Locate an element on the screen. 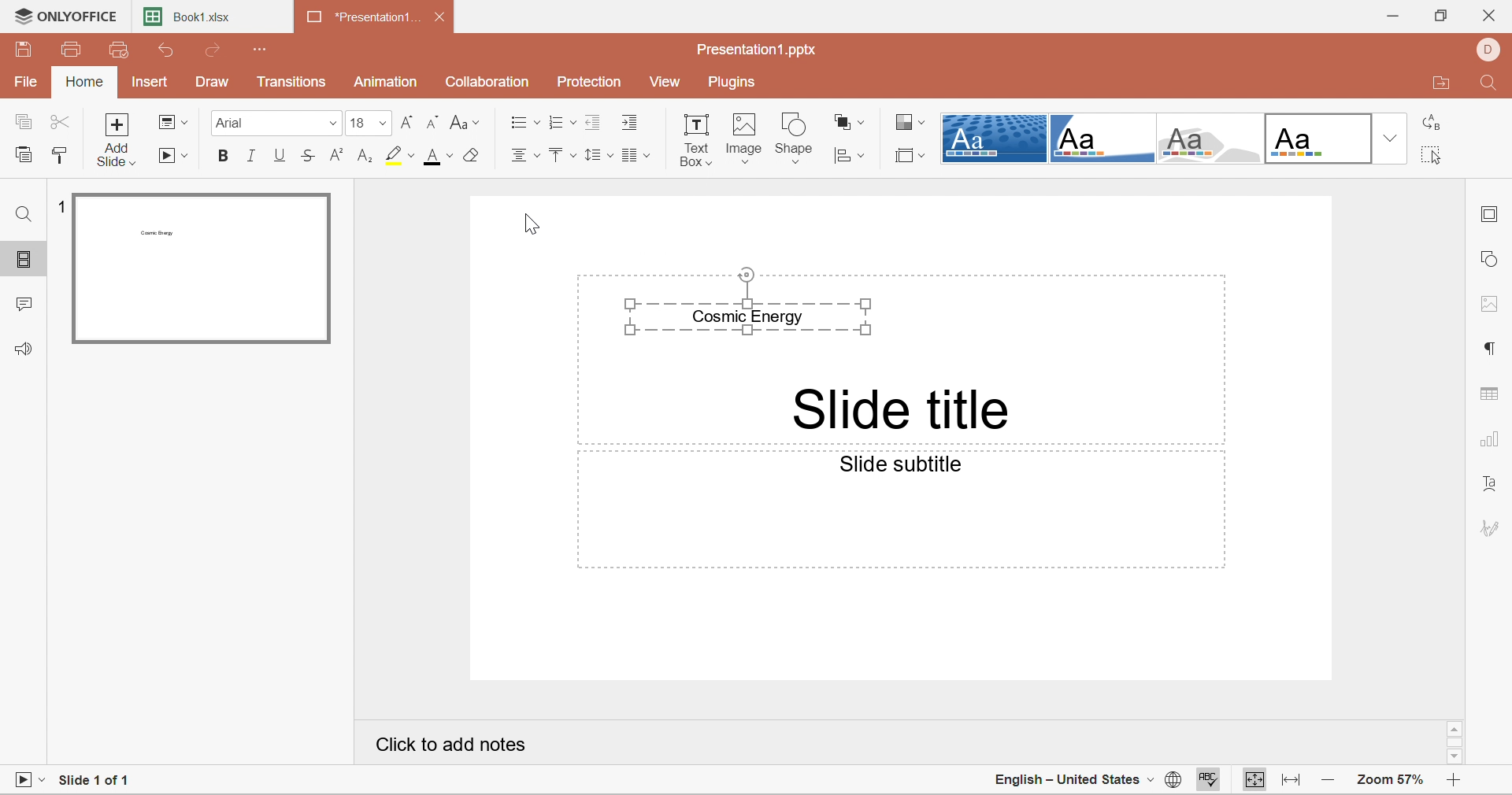  Click to add notes is located at coordinates (452, 748).